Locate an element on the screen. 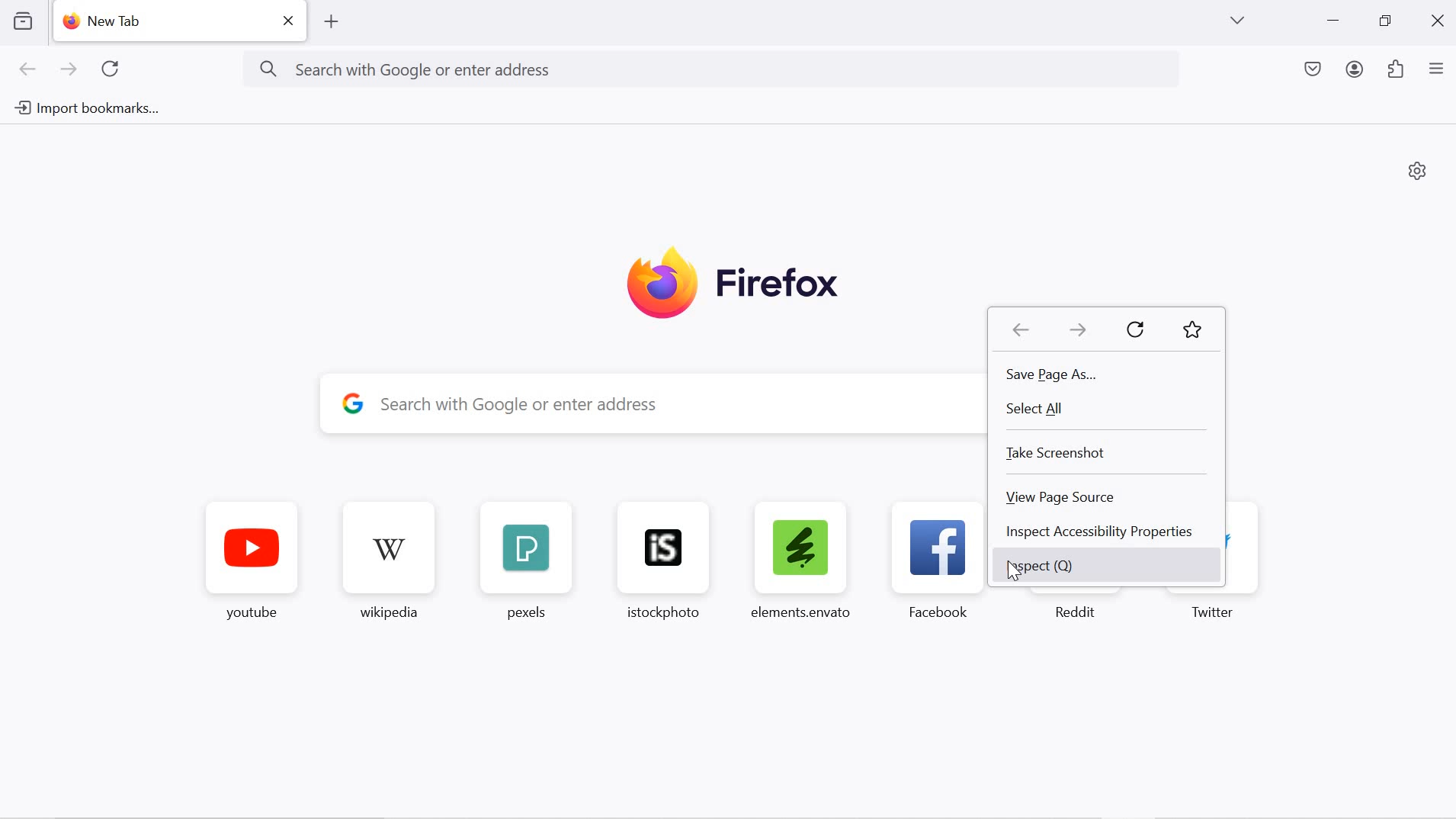 Image resolution: width=1456 pixels, height=819 pixels. save to pocket is located at coordinates (1310, 69).